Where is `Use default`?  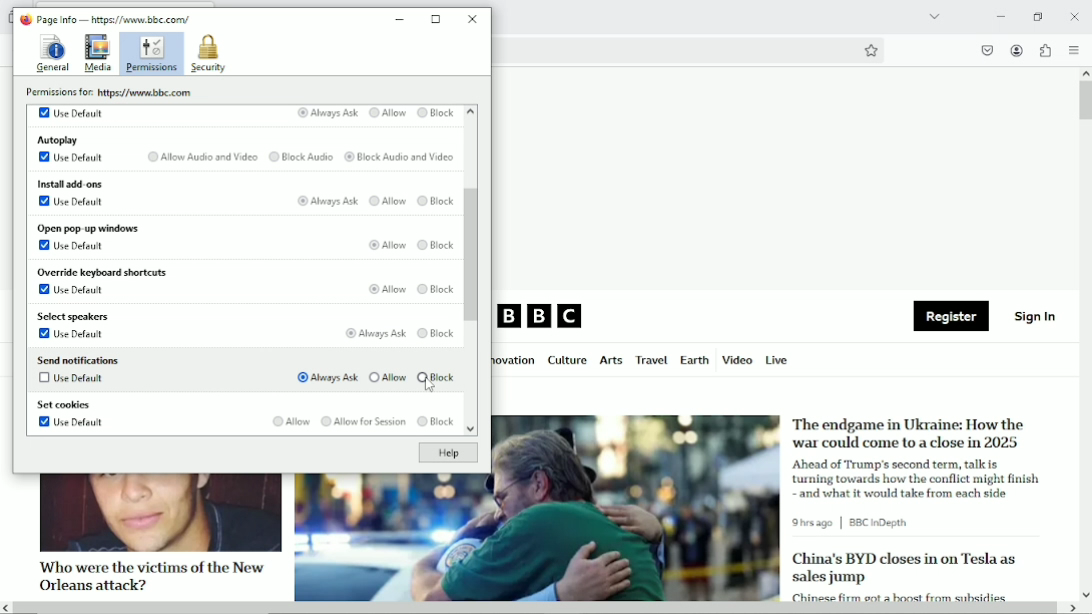 Use default is located at coordinates (71, 158).